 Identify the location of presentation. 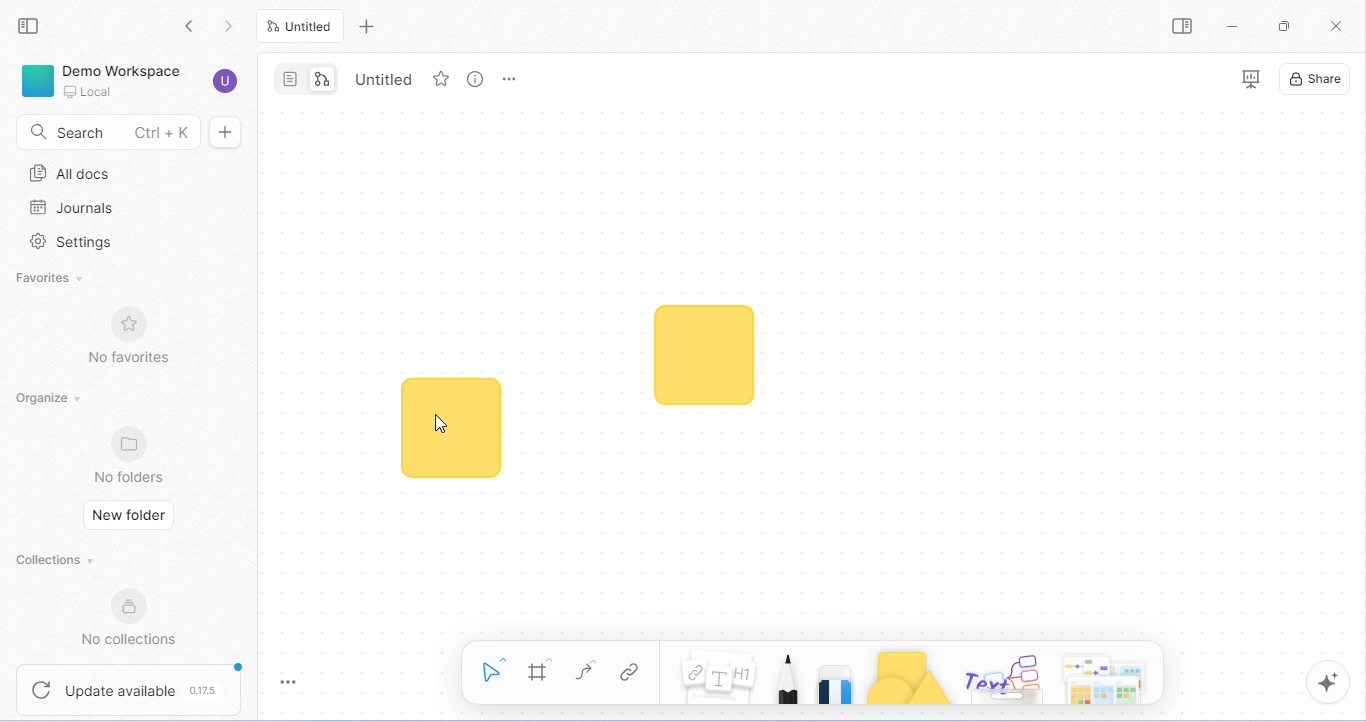
(1252, 80).